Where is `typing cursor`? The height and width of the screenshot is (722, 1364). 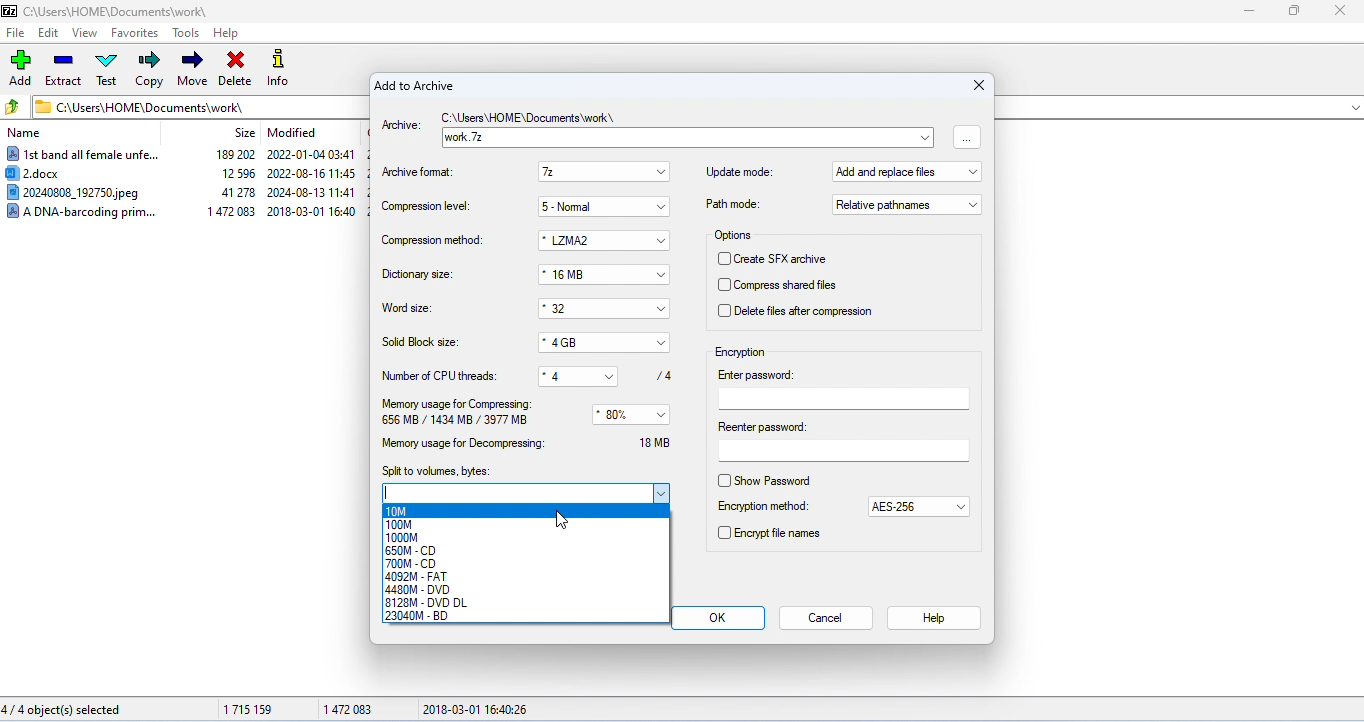
typing cursor is located at coordinates (390, 492).